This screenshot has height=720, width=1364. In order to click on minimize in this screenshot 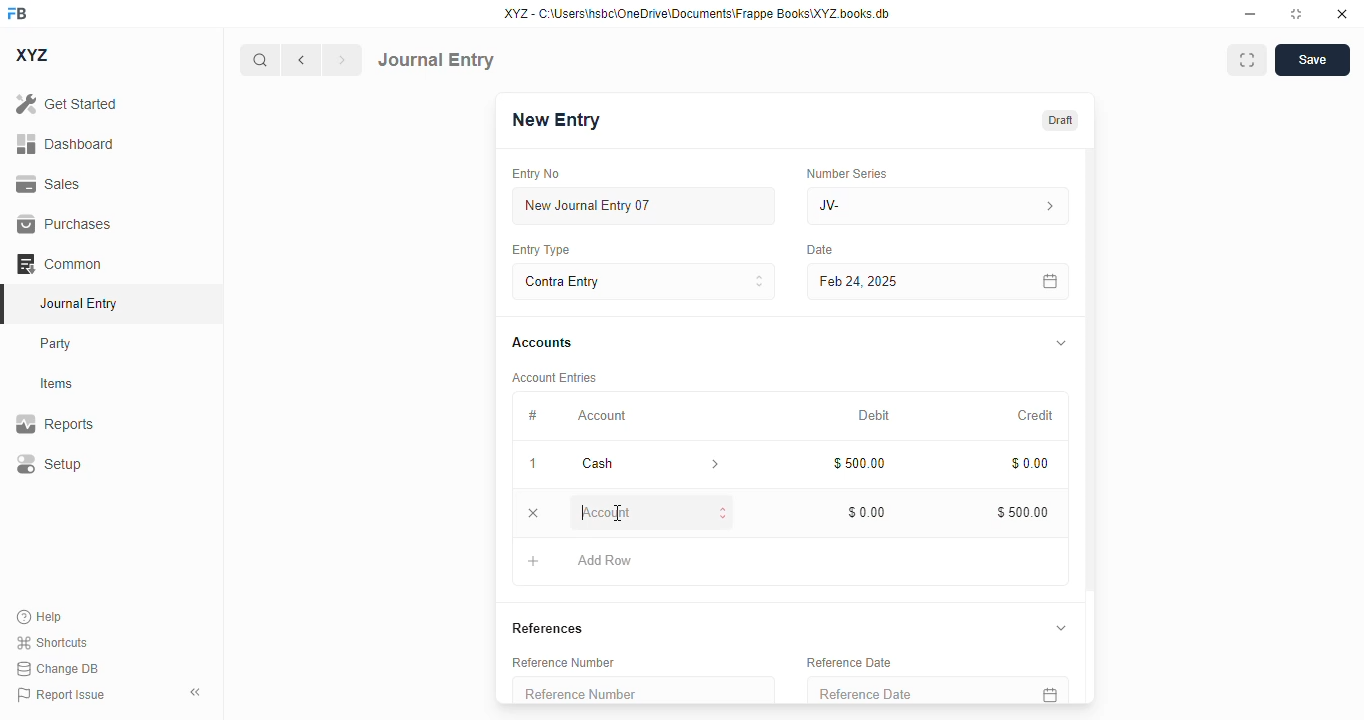, I will do `click(1251, 14)`.